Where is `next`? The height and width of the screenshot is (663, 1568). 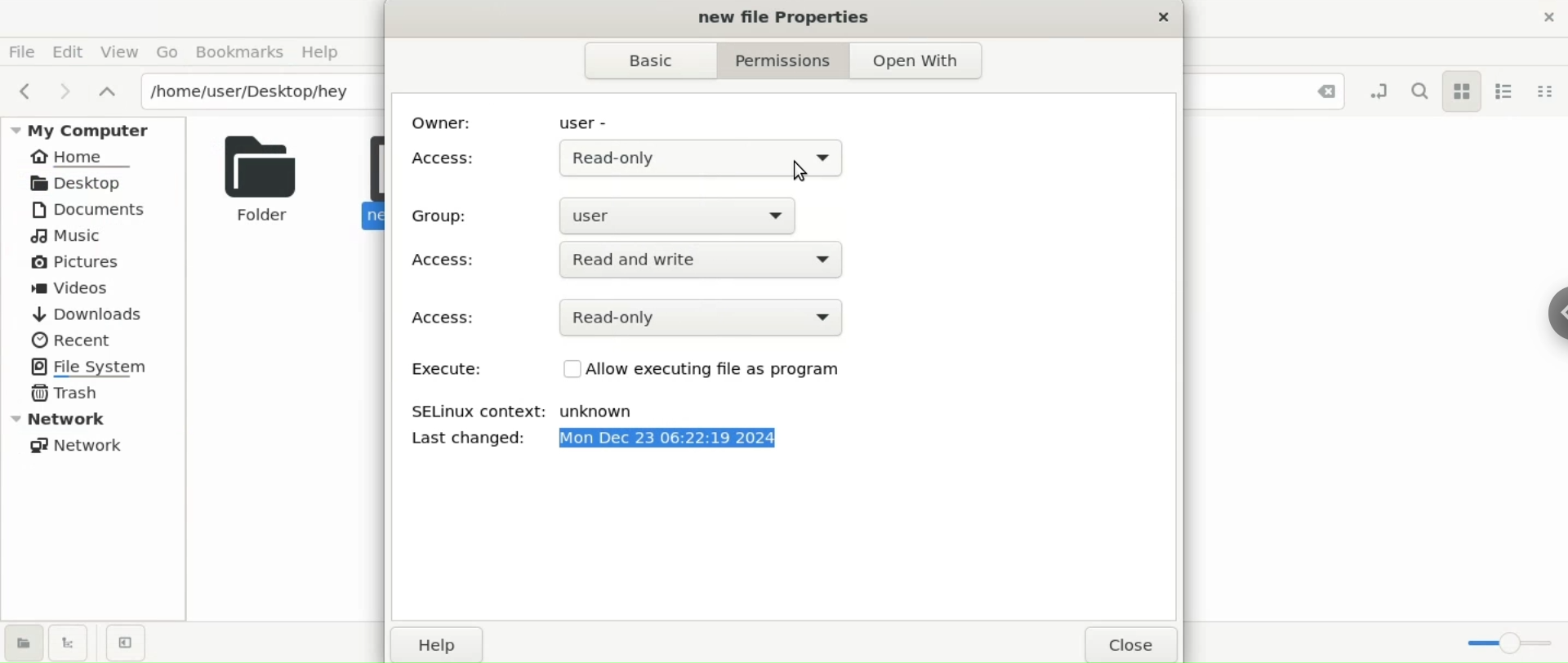
next is located at coordinates (62, 90).